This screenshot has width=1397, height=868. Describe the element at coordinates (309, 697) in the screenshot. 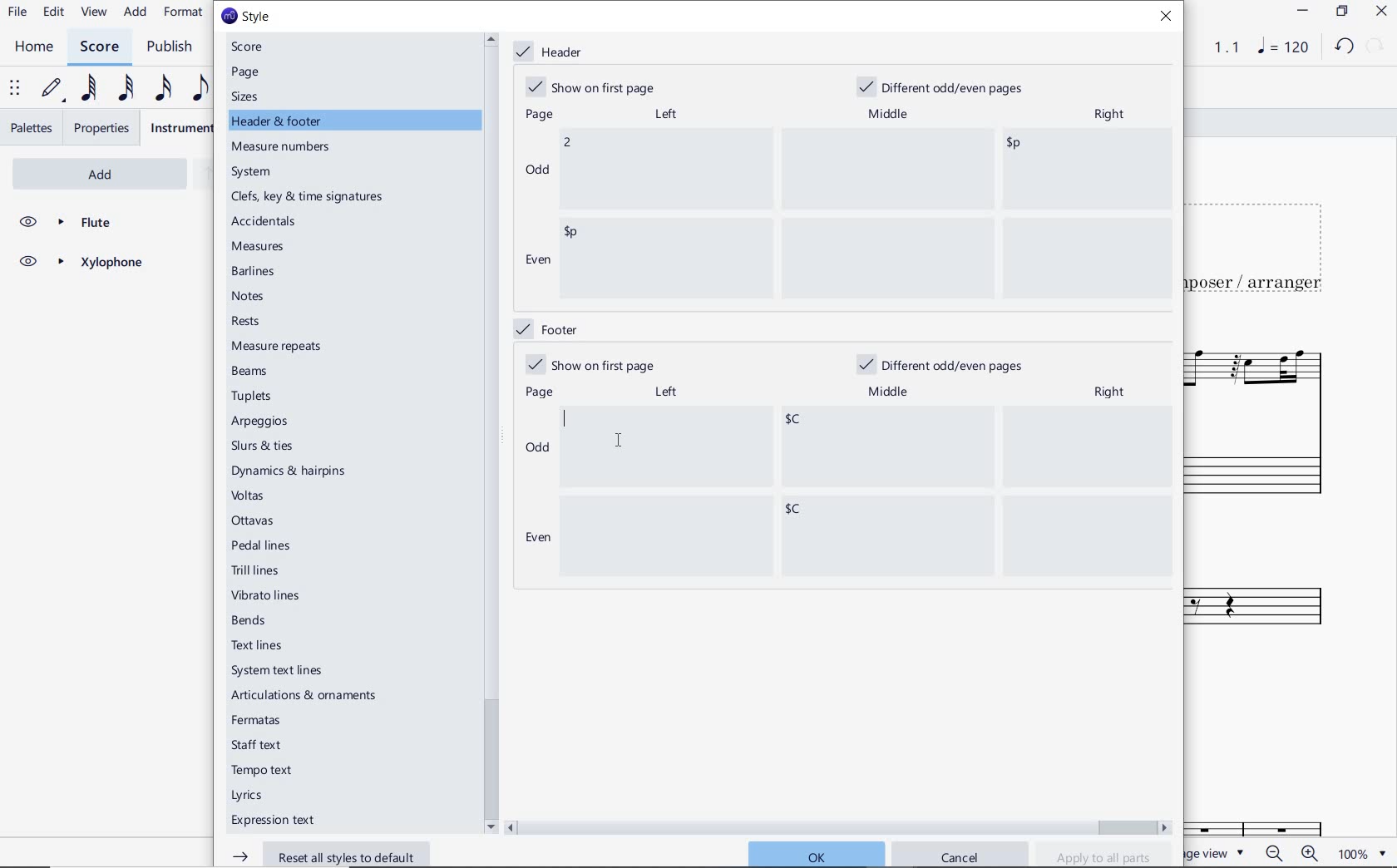

I see `articulations & ornaments` at that location.